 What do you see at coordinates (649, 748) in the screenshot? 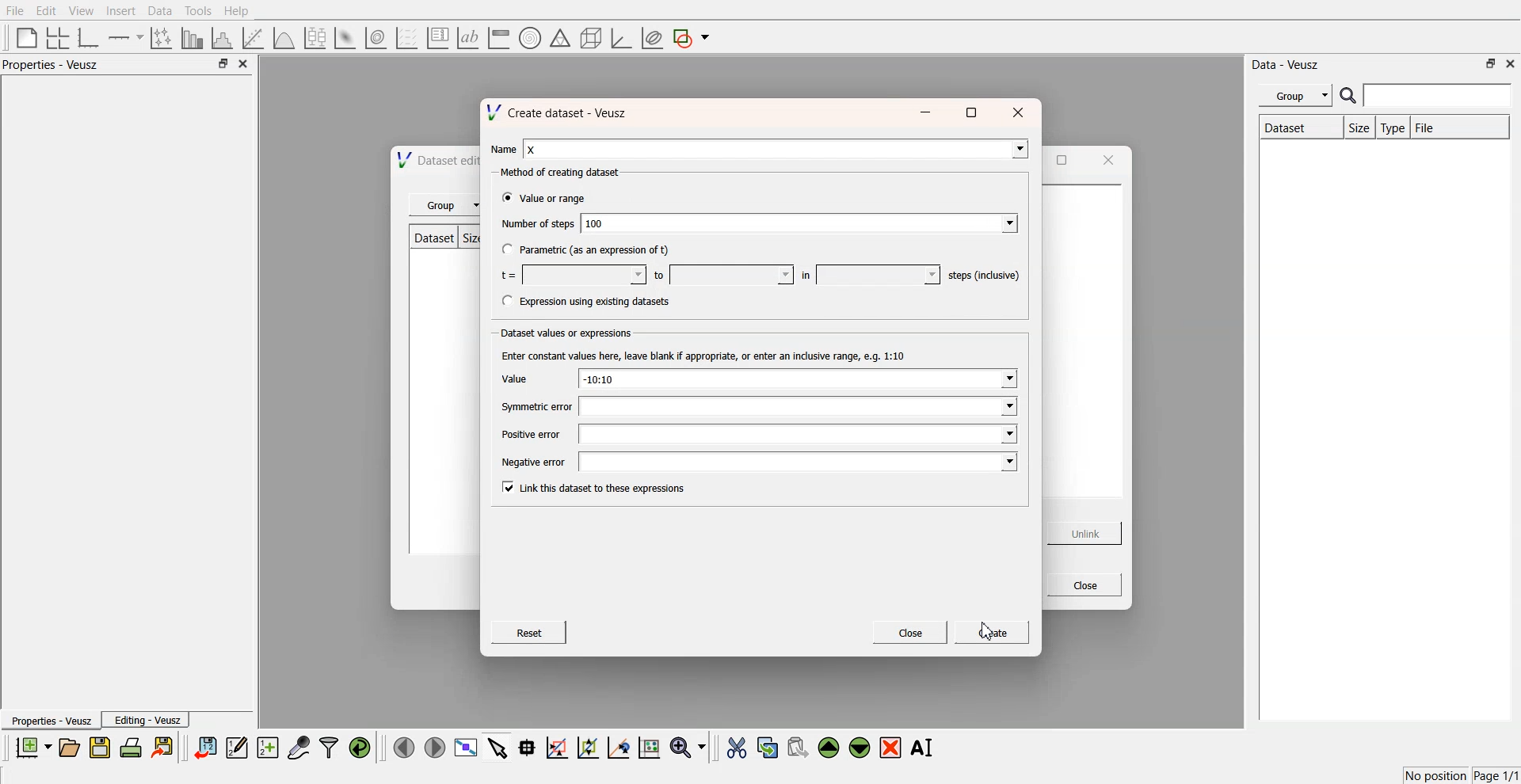
I see `reset the graph axes` at bounding box center [649, 748].